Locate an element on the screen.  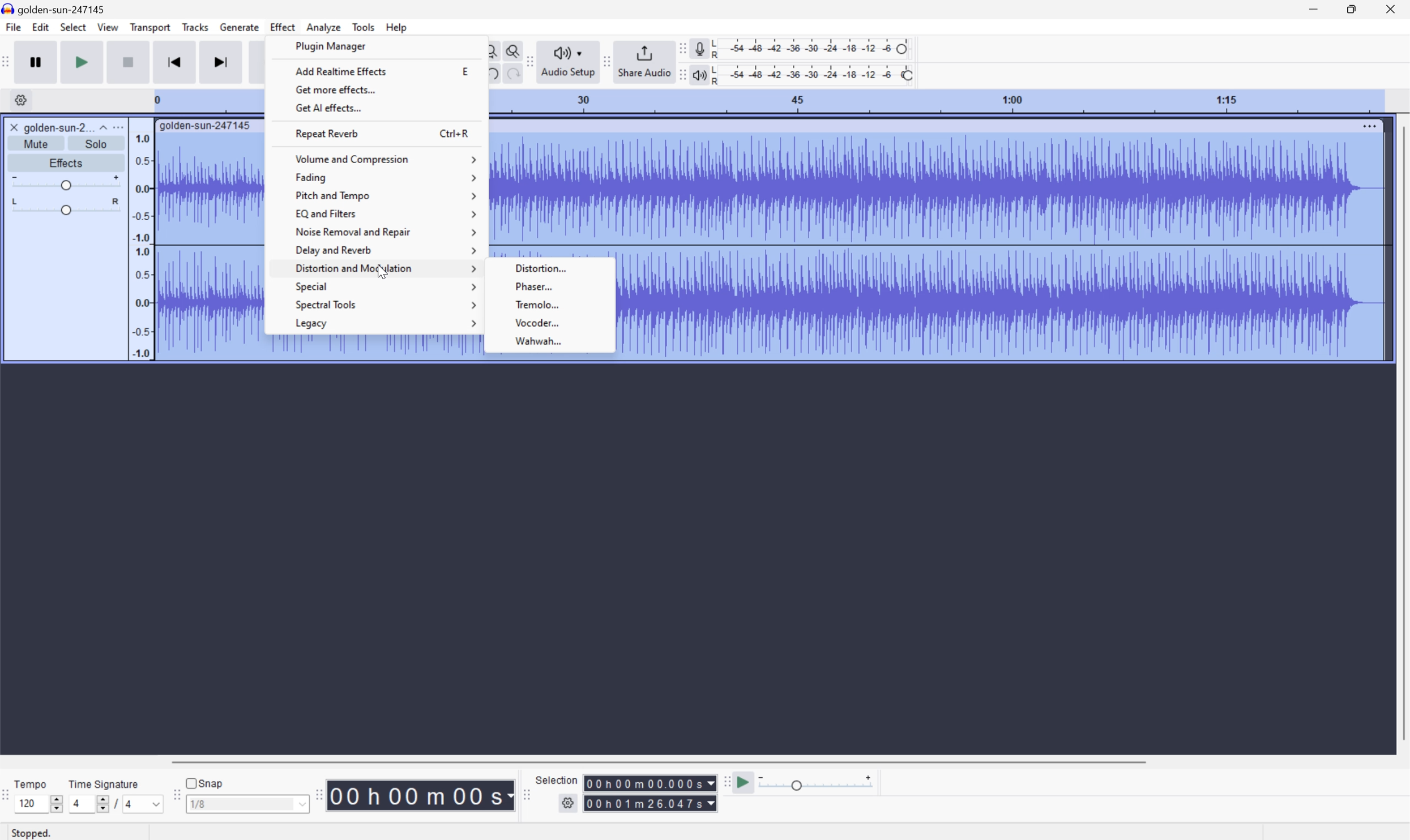
4 is located at coordinates (144, 804).